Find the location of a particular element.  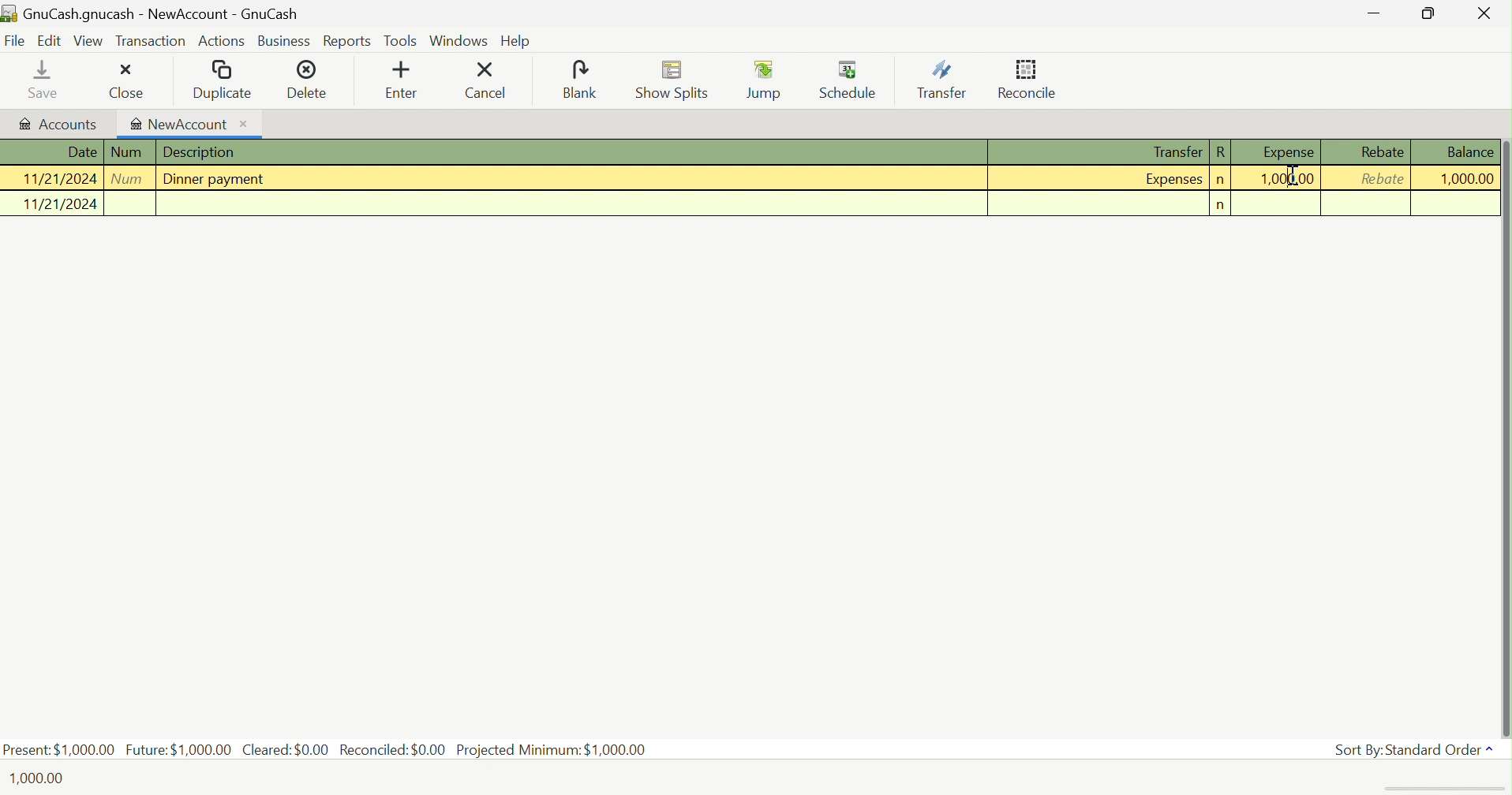

1,000.00 is located at coordinates (41, 778).